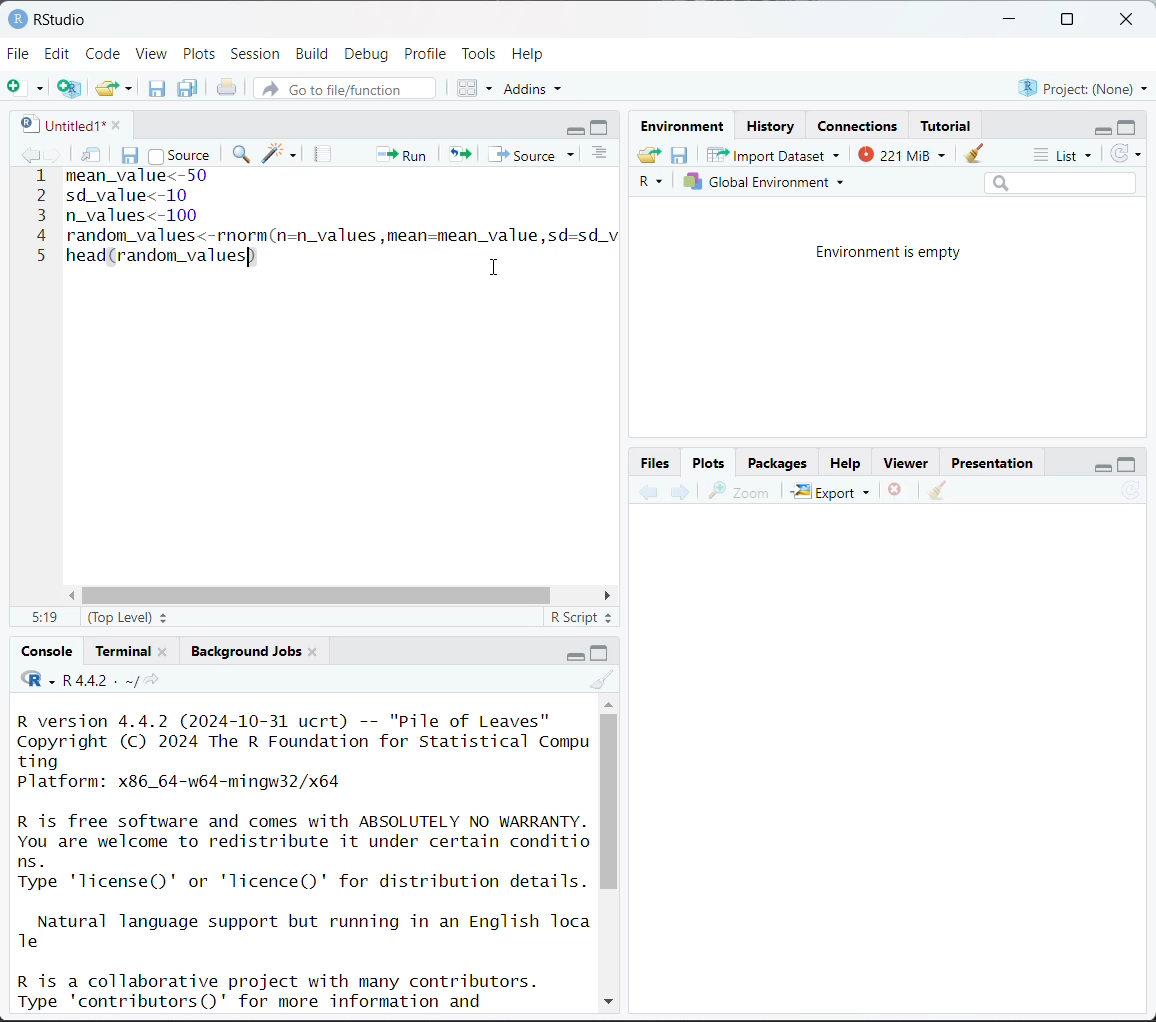 This screenshot has height=1022, width=1156. What do you see at coordinates (860, 126) in the screenshot?
I see `Connections` at bounding box center [860, 126].